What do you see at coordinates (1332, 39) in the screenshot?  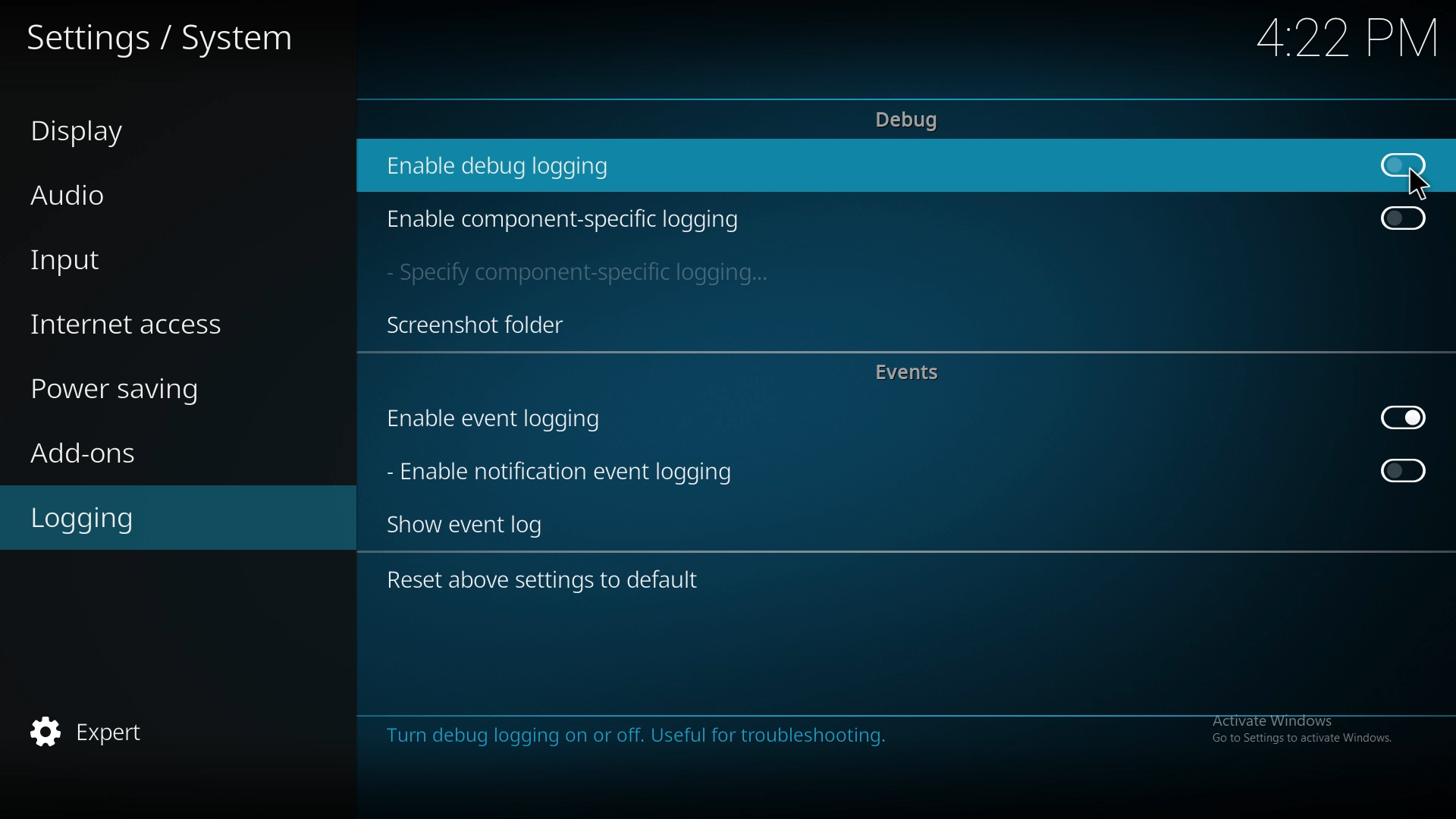 I see `time` at bounding box center [1332, 39].